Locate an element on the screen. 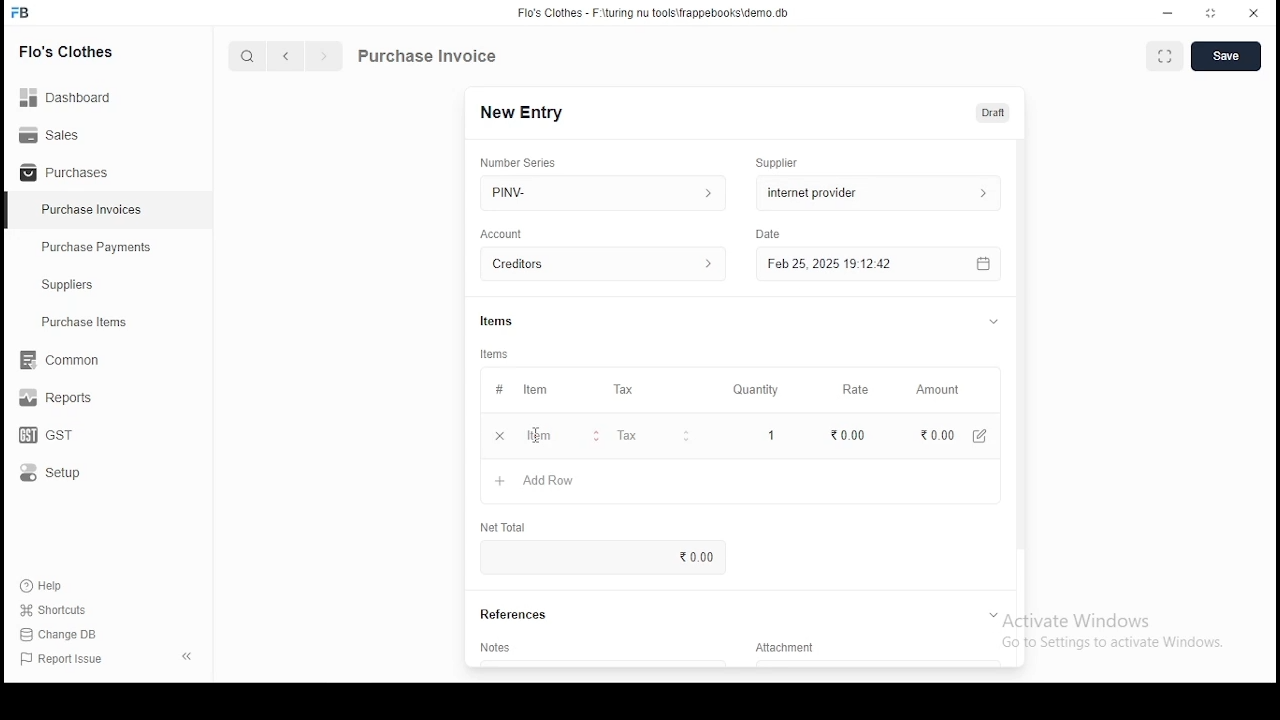  search is located at coordinates (250, 58).